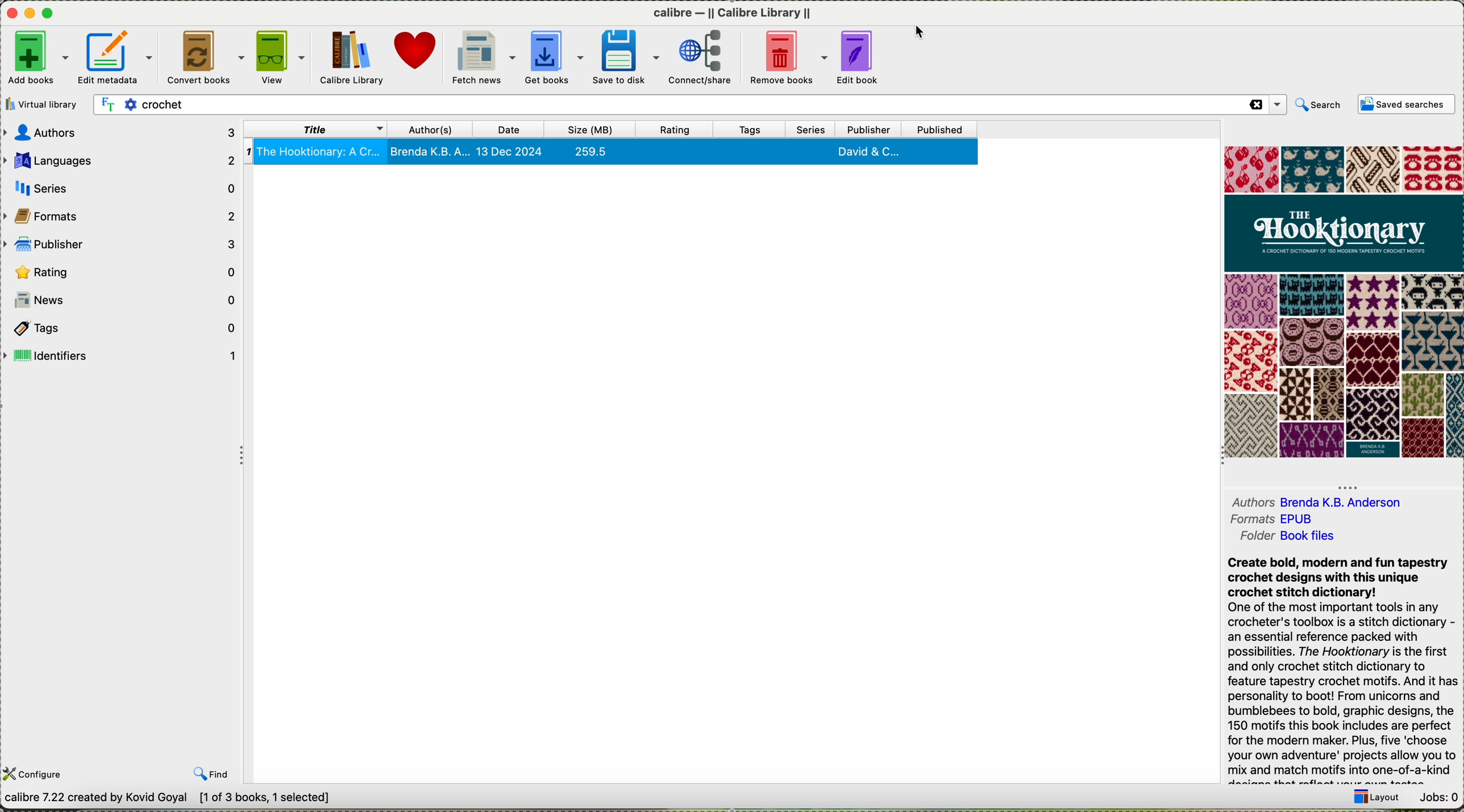 The height and width of the screenshot is (812, 1464). I want to click on 13 Dec 2024, so click(513, 152).